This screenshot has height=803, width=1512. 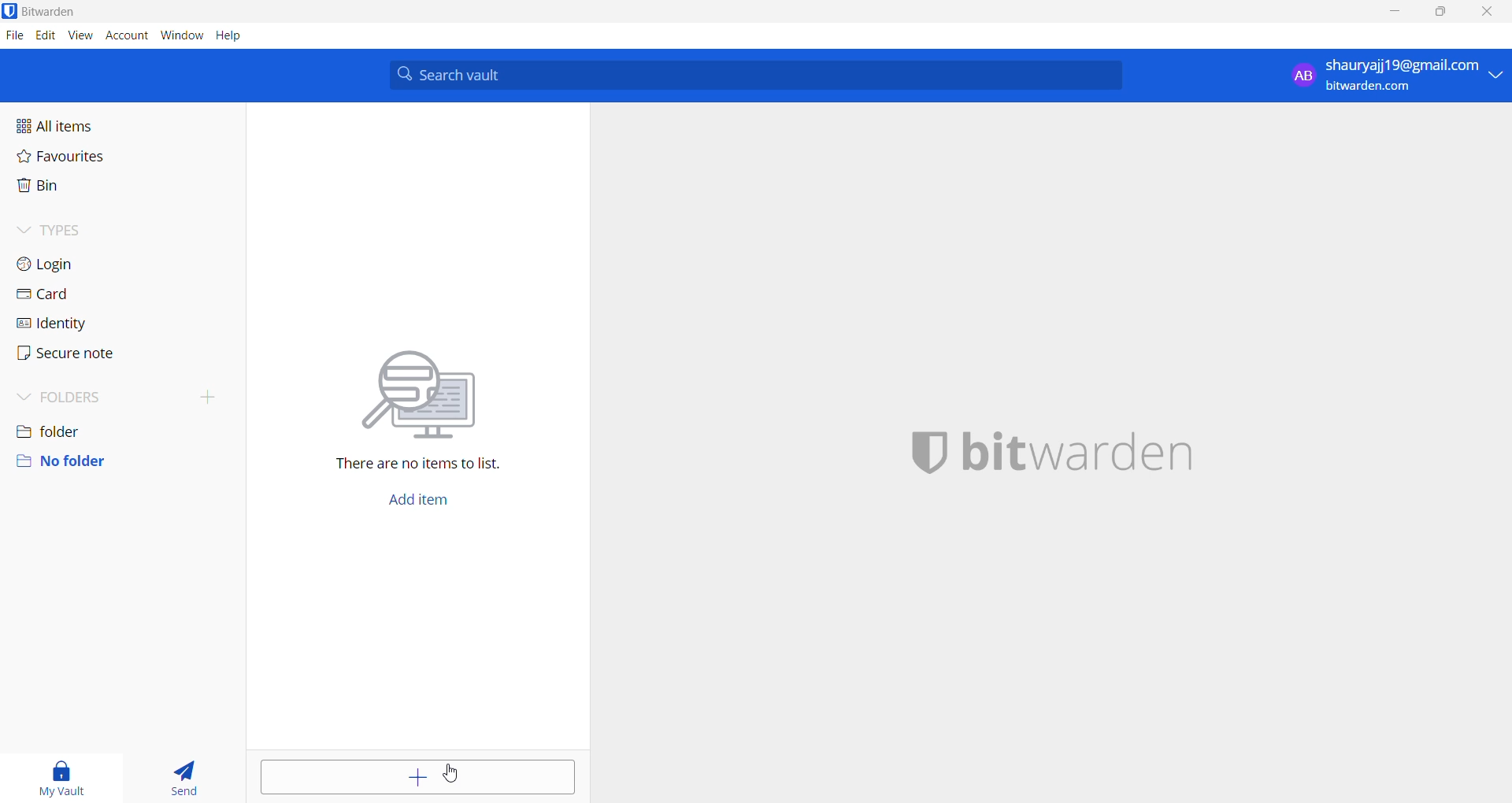 I want to click on add button, so click(x=417, y=502).